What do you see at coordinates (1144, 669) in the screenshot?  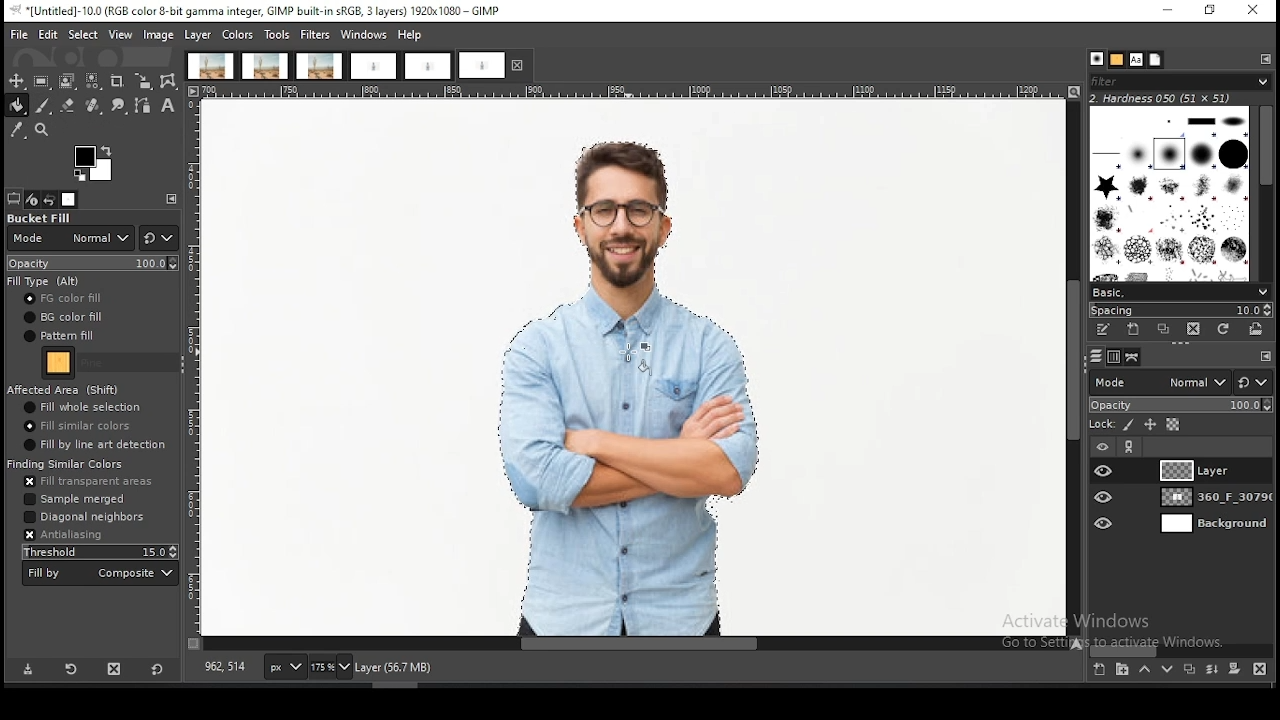 I see `move layer one step up` at bounding box center [1144, 669].